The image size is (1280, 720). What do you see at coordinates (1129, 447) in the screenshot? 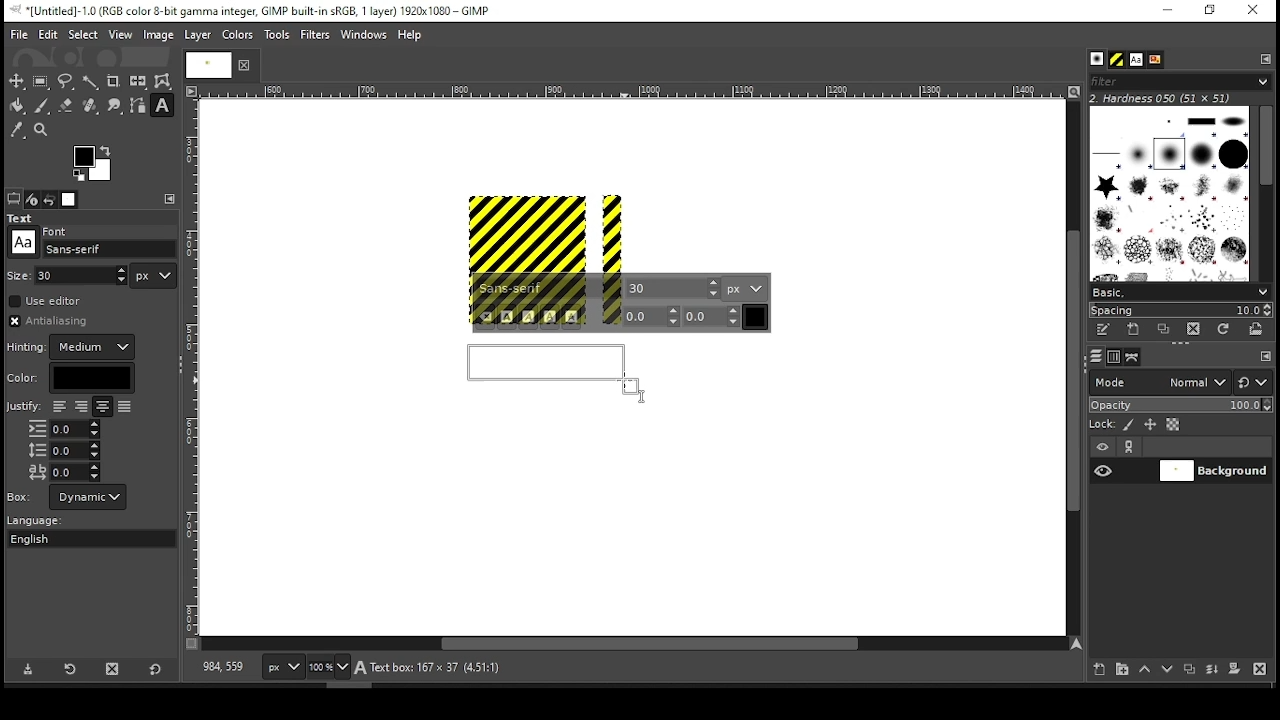
I see `link` at bounding box center [1129, 447].